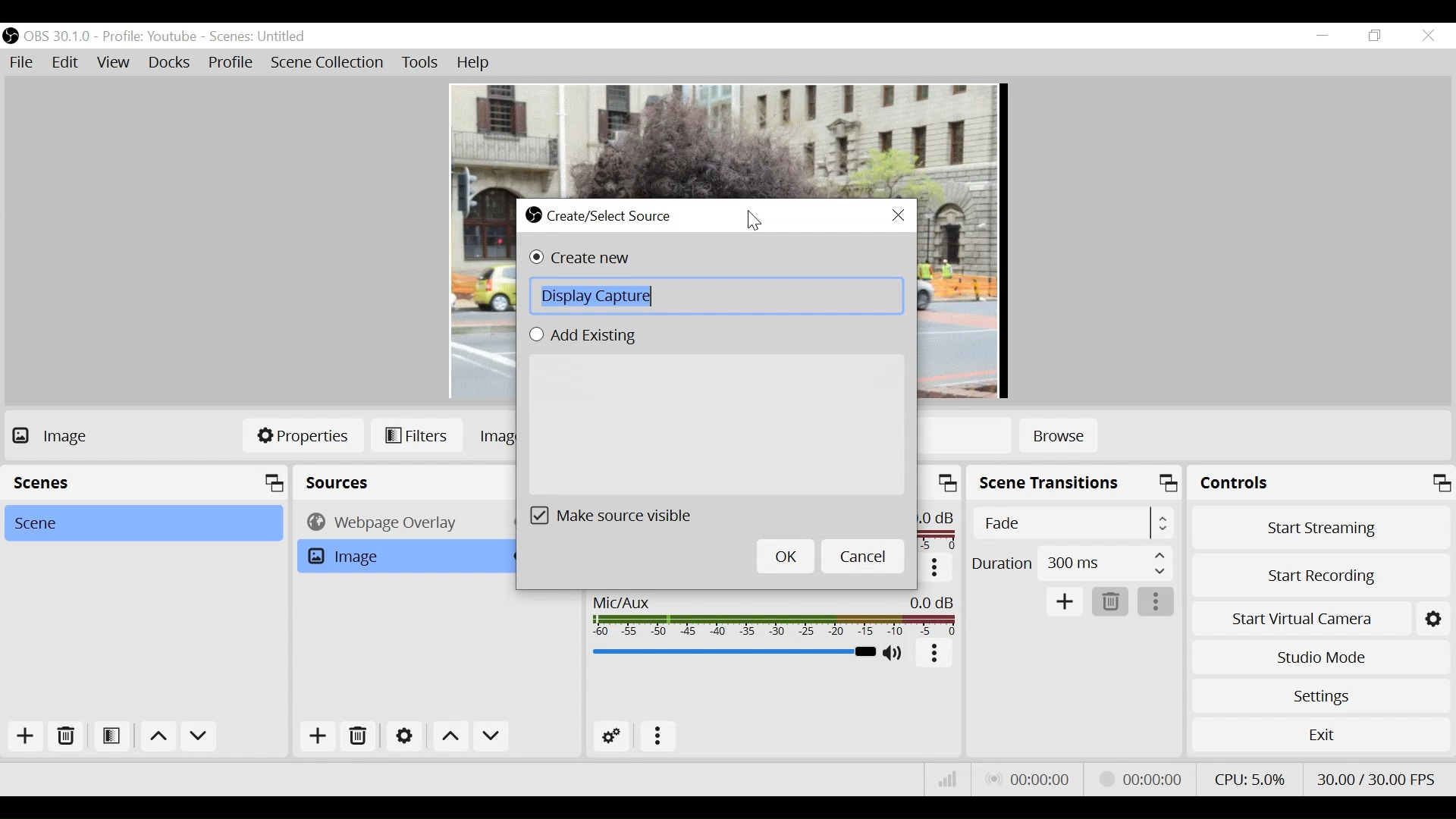  What do you see at coordinates (199, 738) in the screenshot?
I see `Move down` at bounding box center [199, 738].